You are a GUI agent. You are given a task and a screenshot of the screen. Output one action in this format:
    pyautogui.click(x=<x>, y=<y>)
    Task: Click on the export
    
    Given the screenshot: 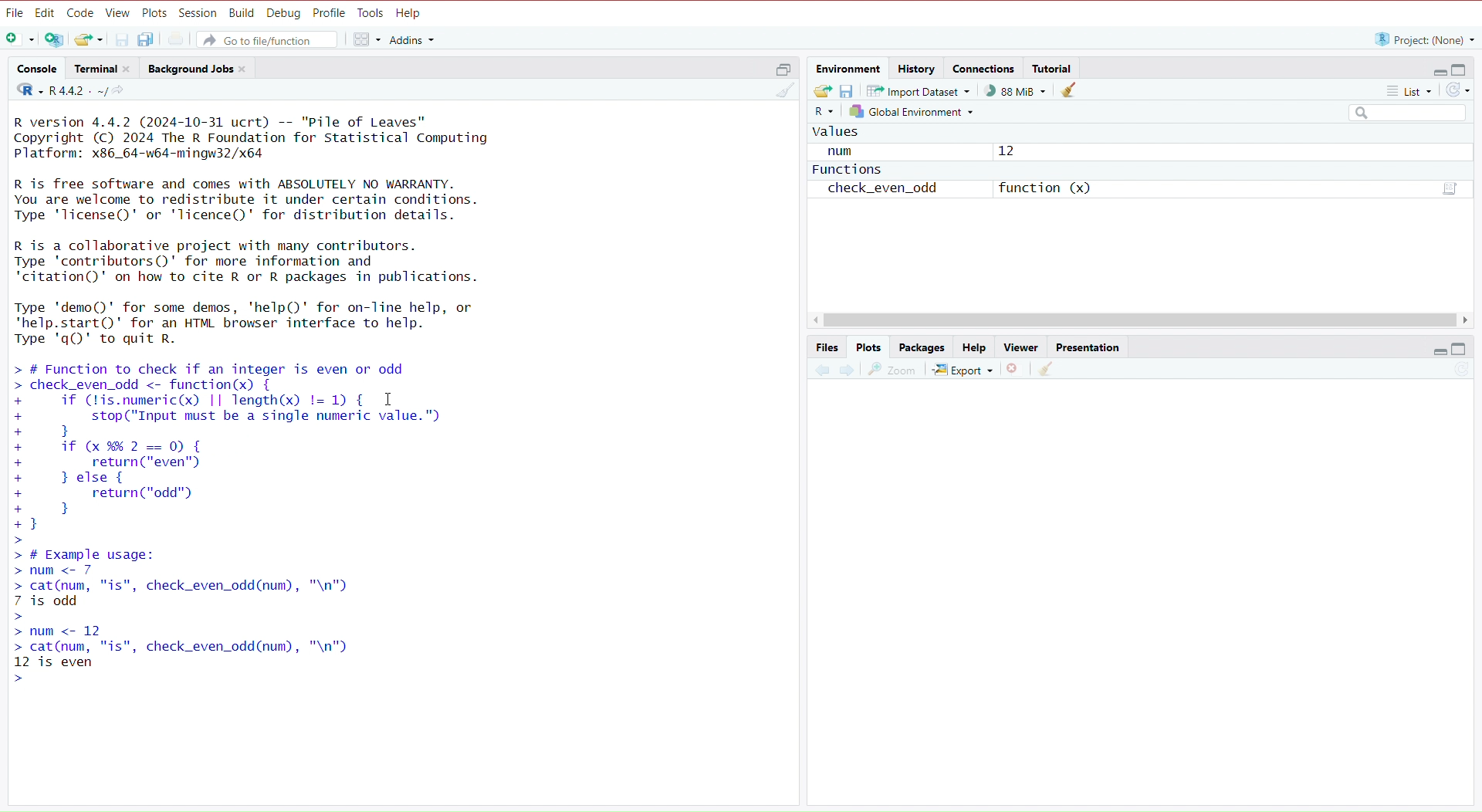 What is the action you would take?
    pyautogui.click(x=962, y=371)
    